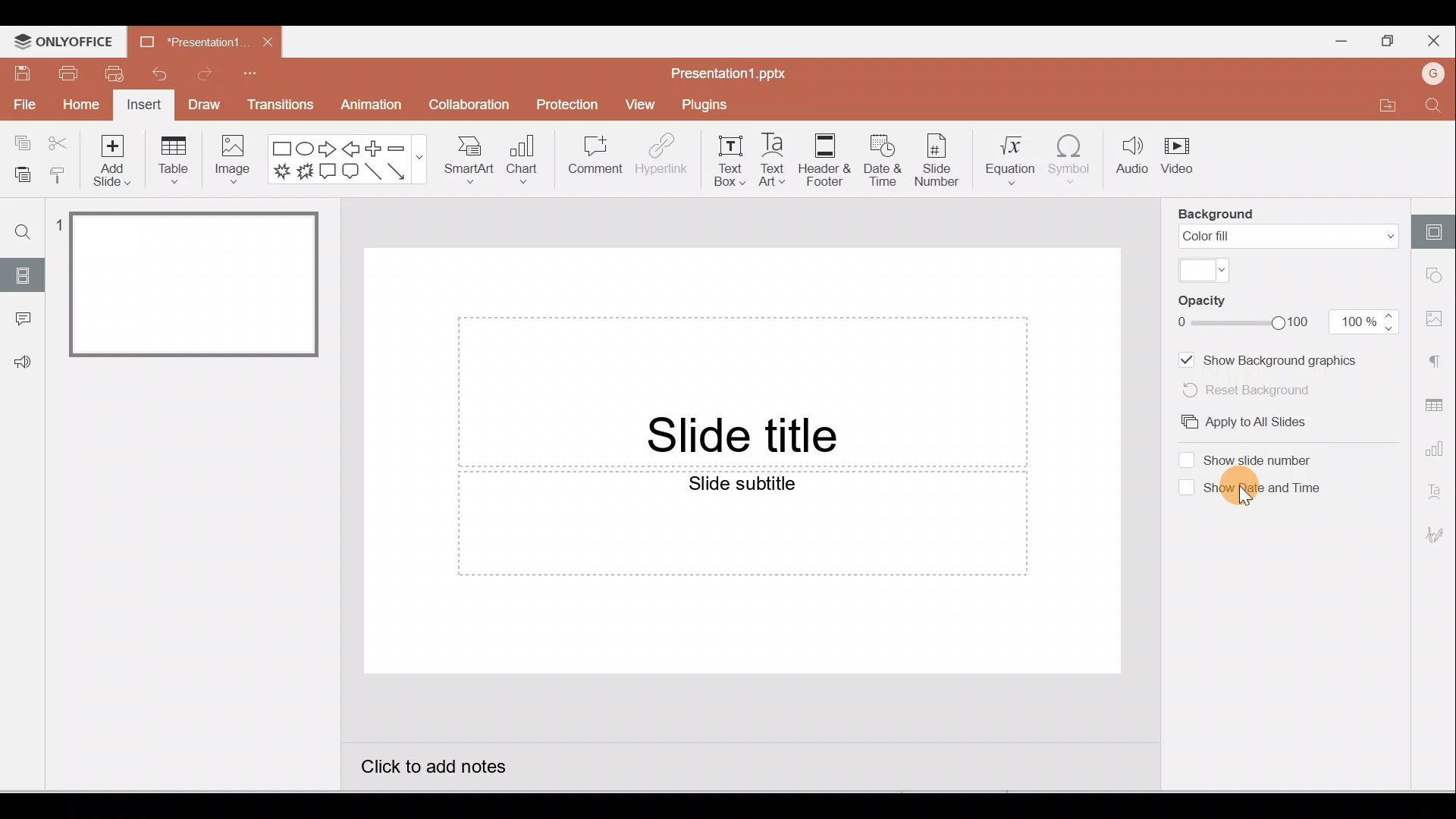 This screenshot has height=819, width=1456. Describe the element at coordinates (421, 157) in the screenshot. I see `show more` at that location.